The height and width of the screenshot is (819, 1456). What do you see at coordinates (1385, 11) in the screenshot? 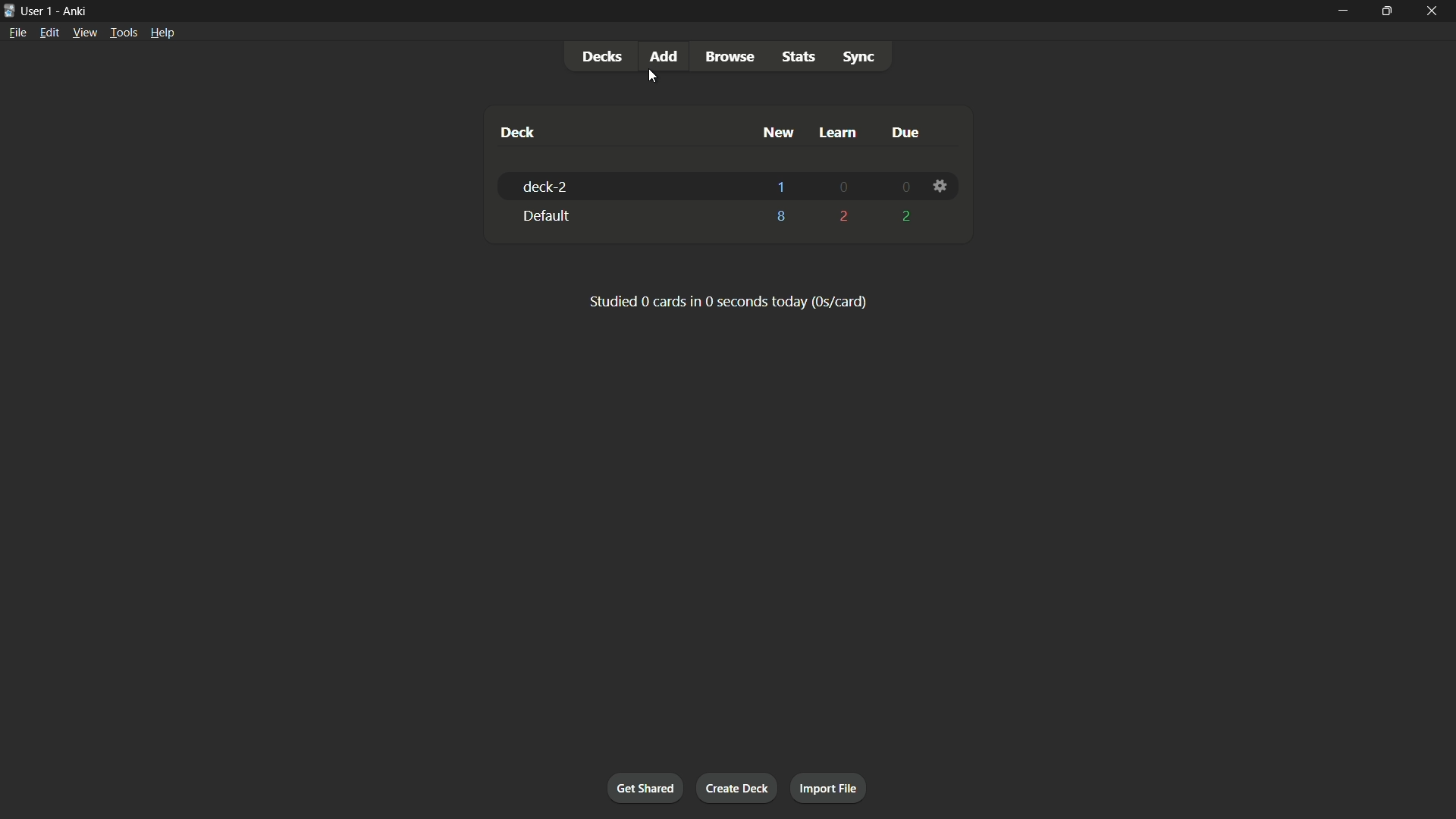
I see `maximize` at bounding box center [1385, 11].